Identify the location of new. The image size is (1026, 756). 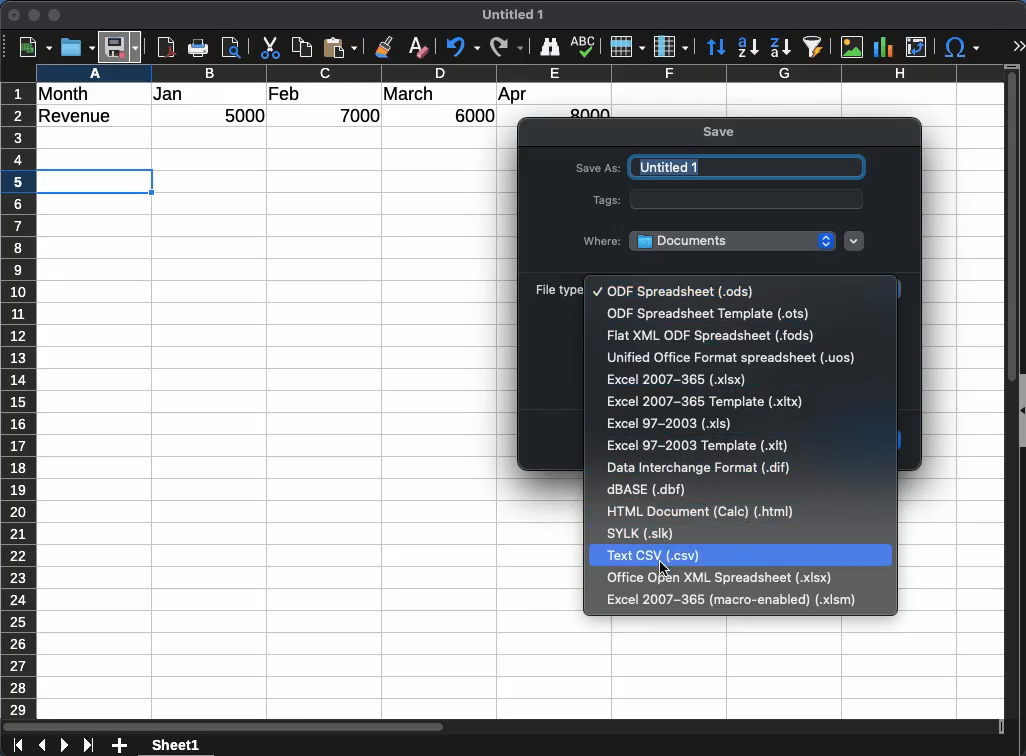
(33, 47).